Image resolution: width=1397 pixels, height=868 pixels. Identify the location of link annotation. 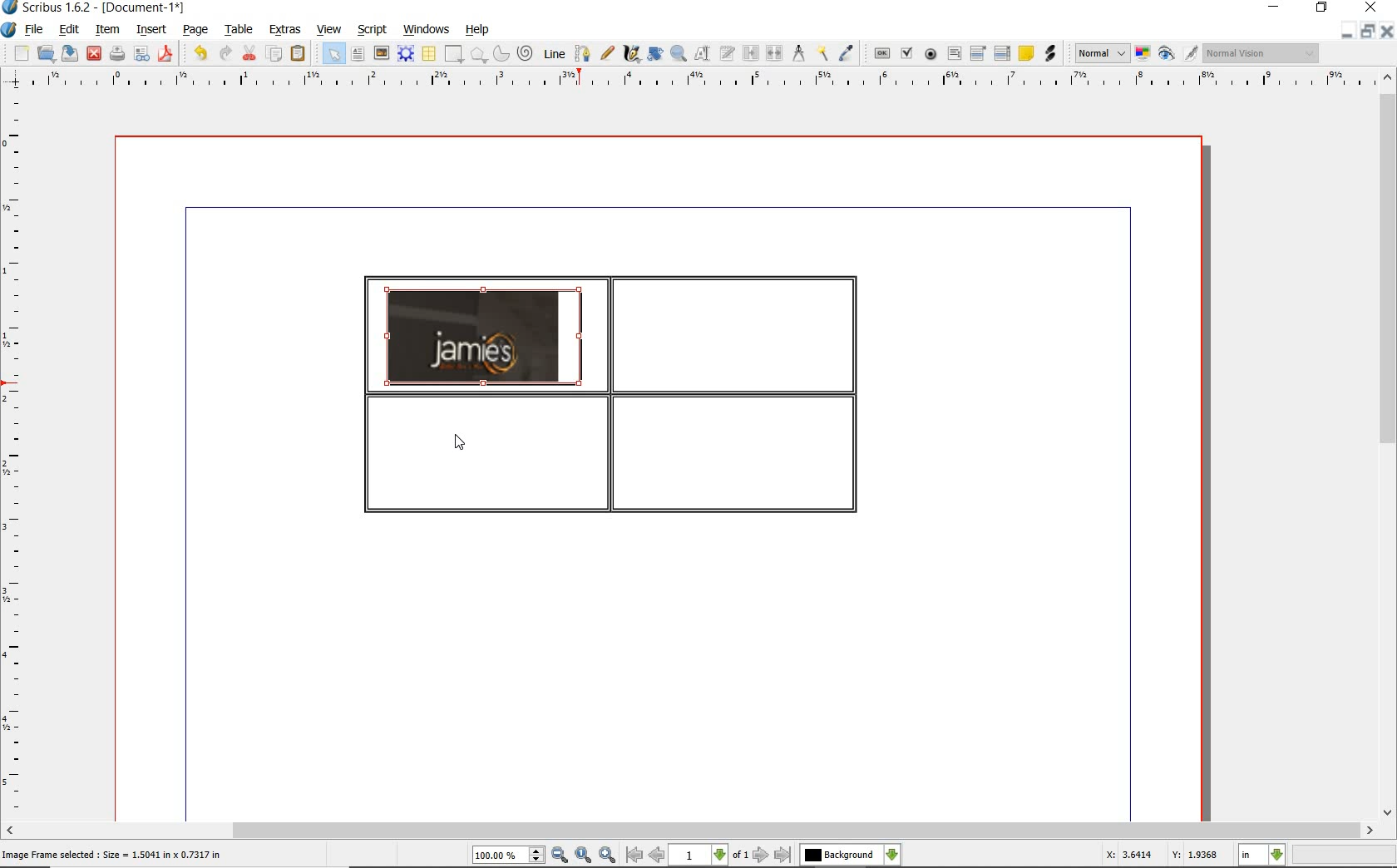
(1049, 53).